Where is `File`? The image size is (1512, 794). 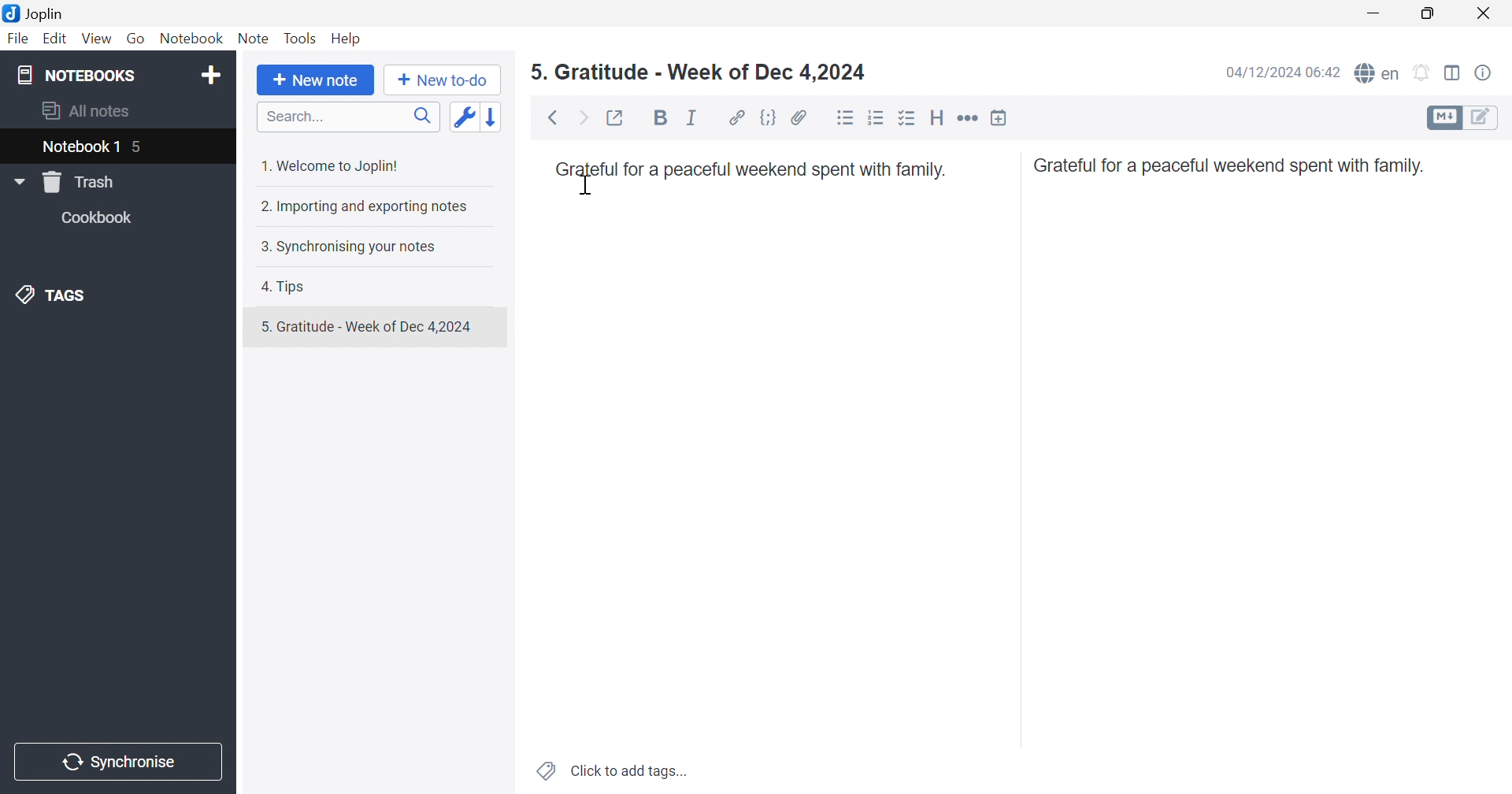 File is located at coordinates (20, 39).